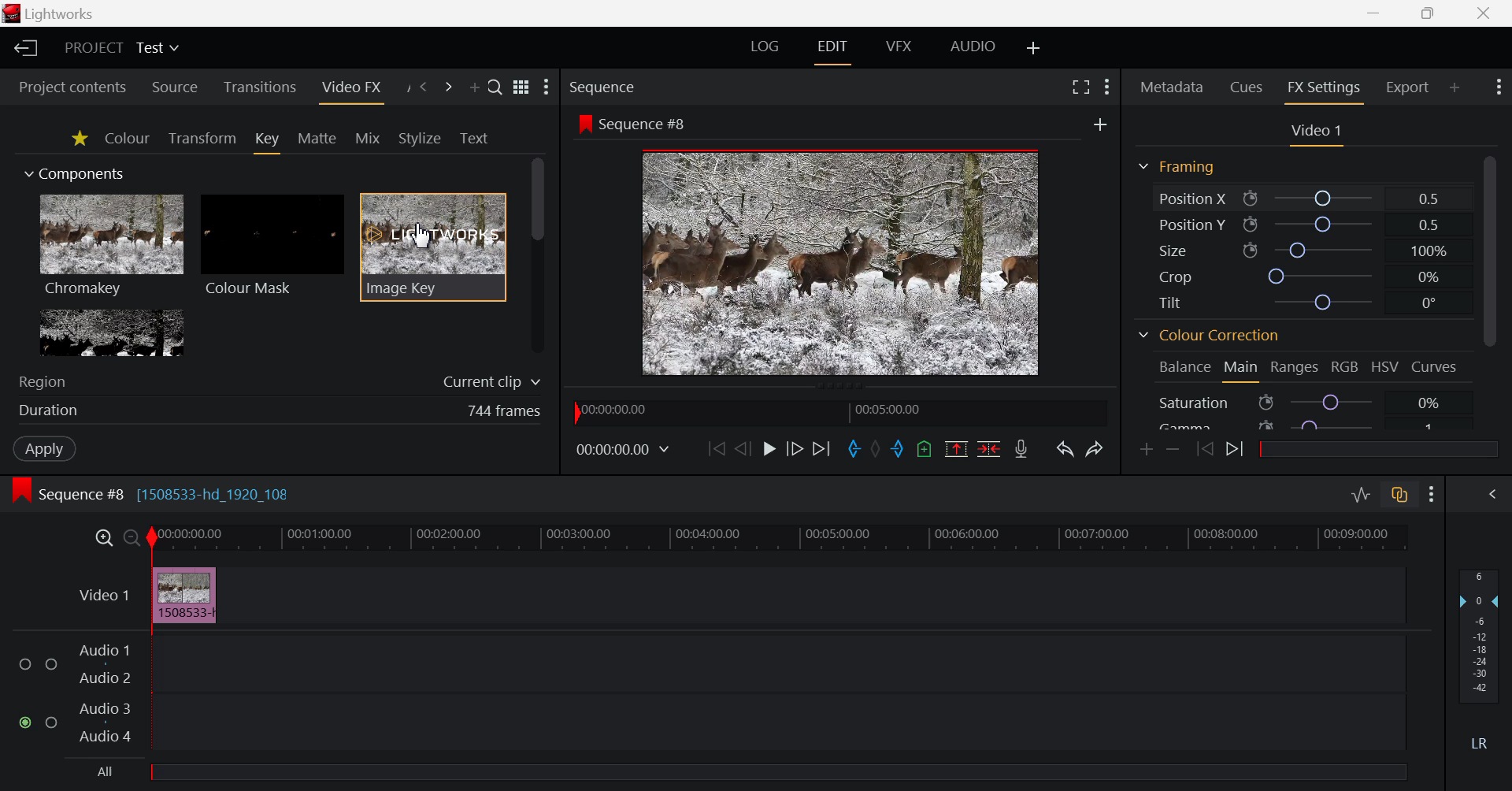 This screenshot has width=1512, height=791. What do you see at coordinates (272, 247) in the screenshot?
I see `Colour Mask` at bounding box center [272, 247].